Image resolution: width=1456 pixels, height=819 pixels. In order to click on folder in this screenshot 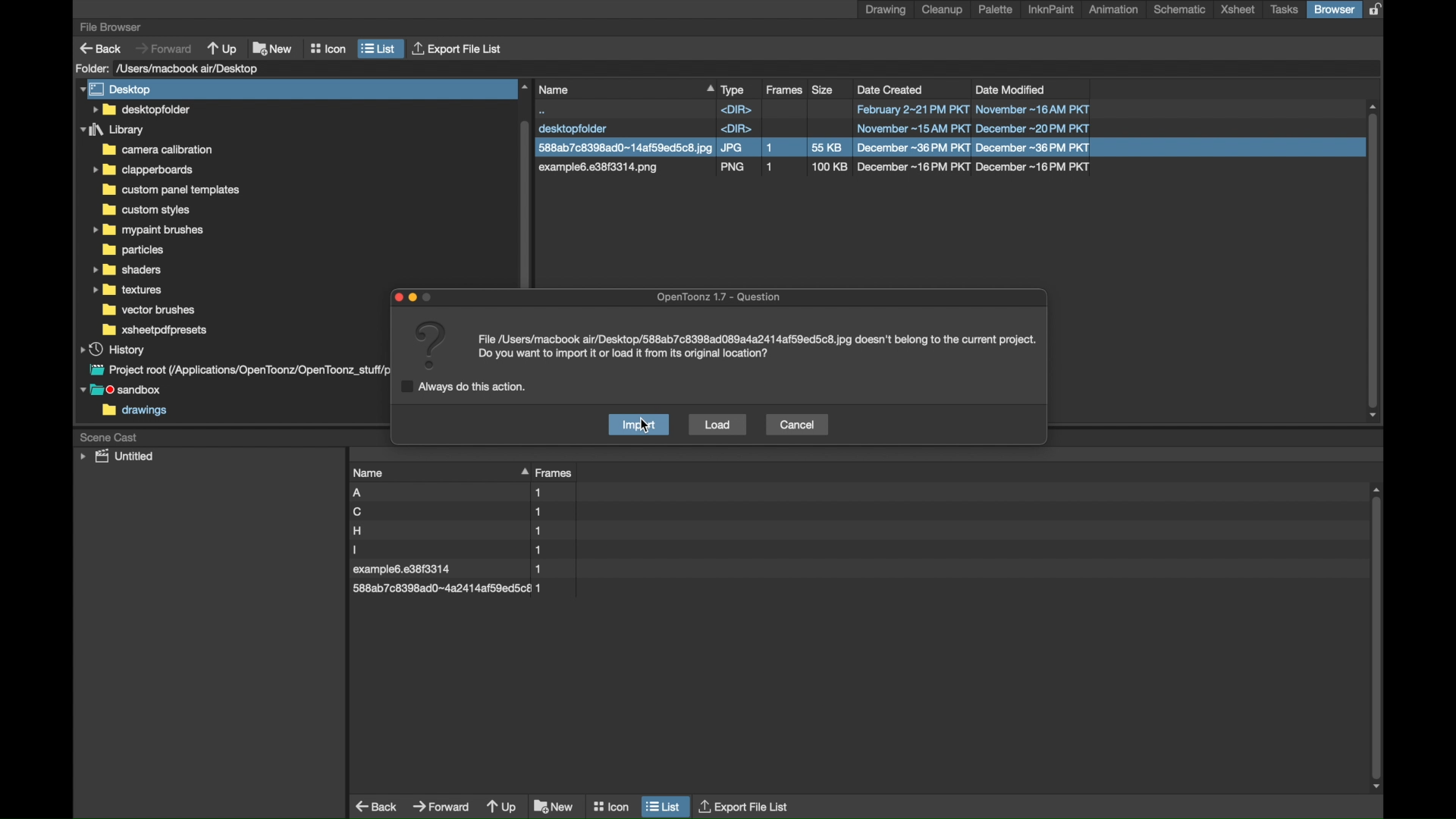, I will do `click(133, 250)`.